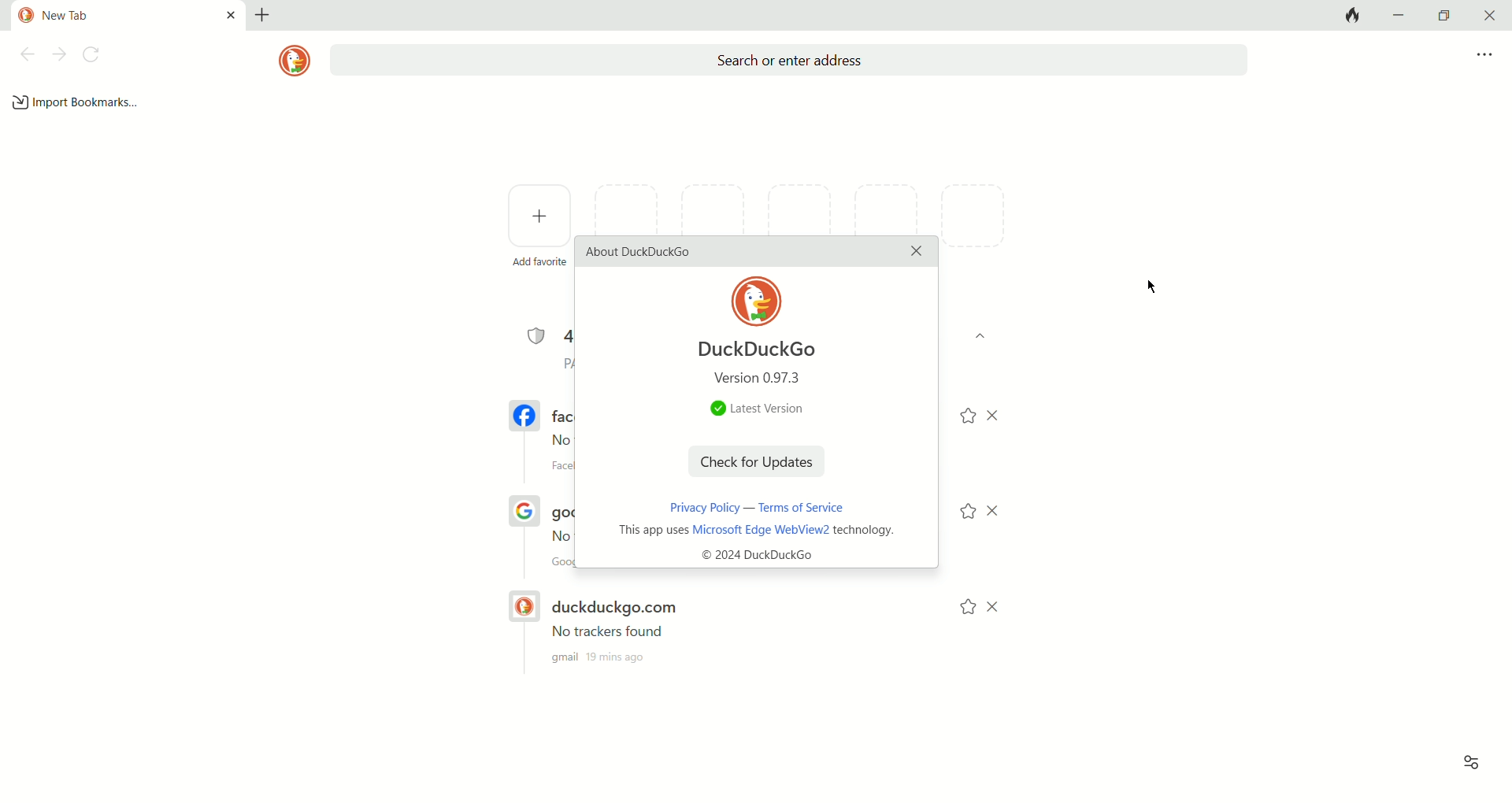 The height and width of the screenshot is (803, 1512). I want to click on refresh, so click(92, 54).